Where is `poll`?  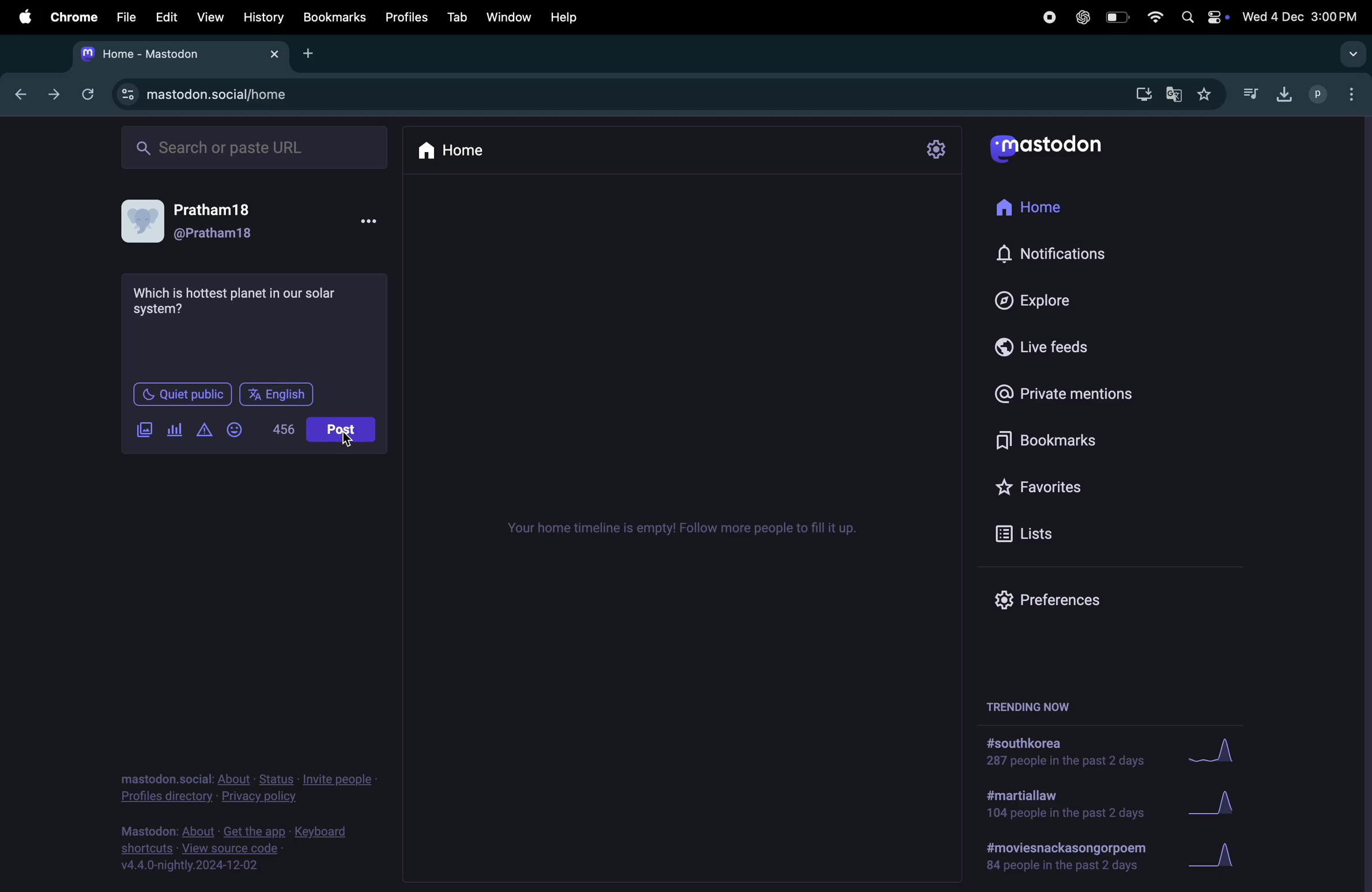
poll is located at coordinates (175, 430).